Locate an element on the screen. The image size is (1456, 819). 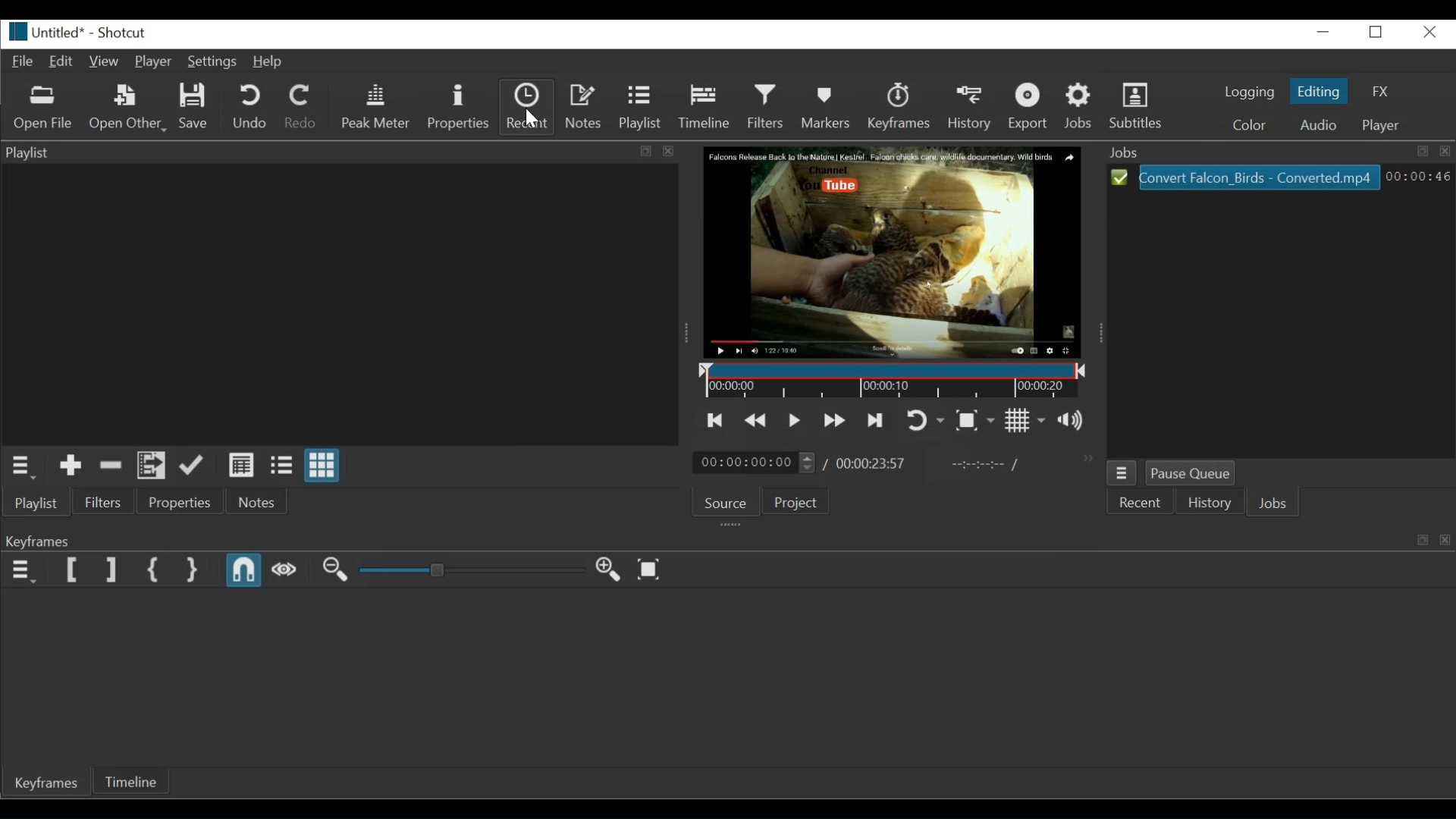
Play quickly backward is located at coordinates (758, 419).